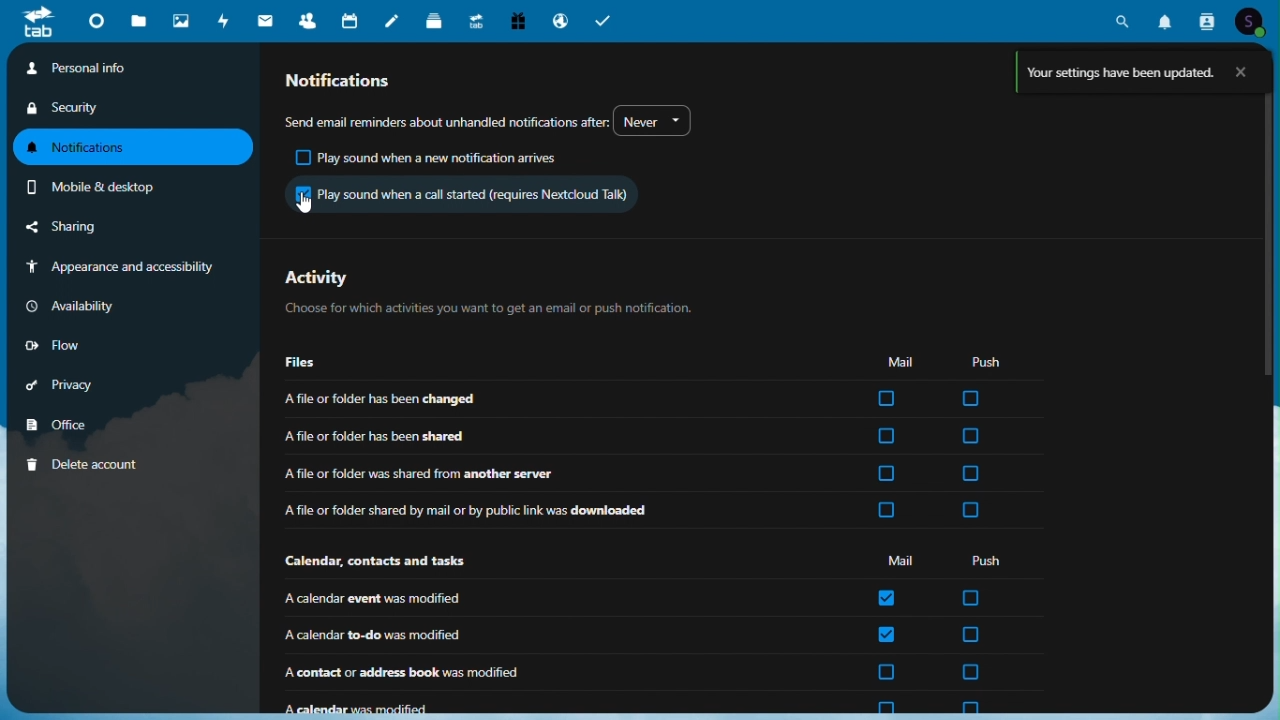 The image size is (1280, 720). I want to click on check box, so click(972, 436).